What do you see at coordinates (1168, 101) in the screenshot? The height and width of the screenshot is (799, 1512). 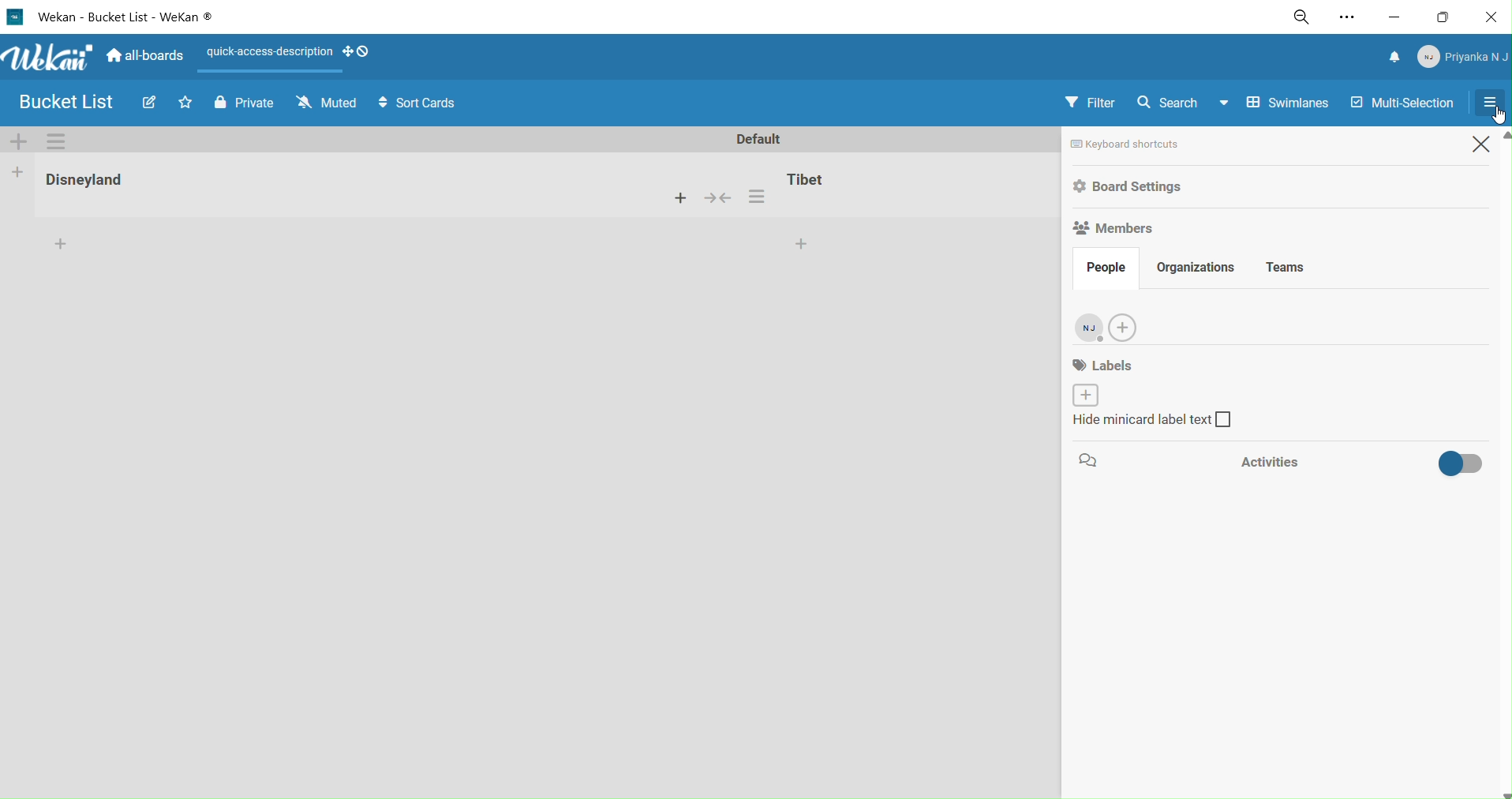 I see `search` at bounding box center [1168, 101].